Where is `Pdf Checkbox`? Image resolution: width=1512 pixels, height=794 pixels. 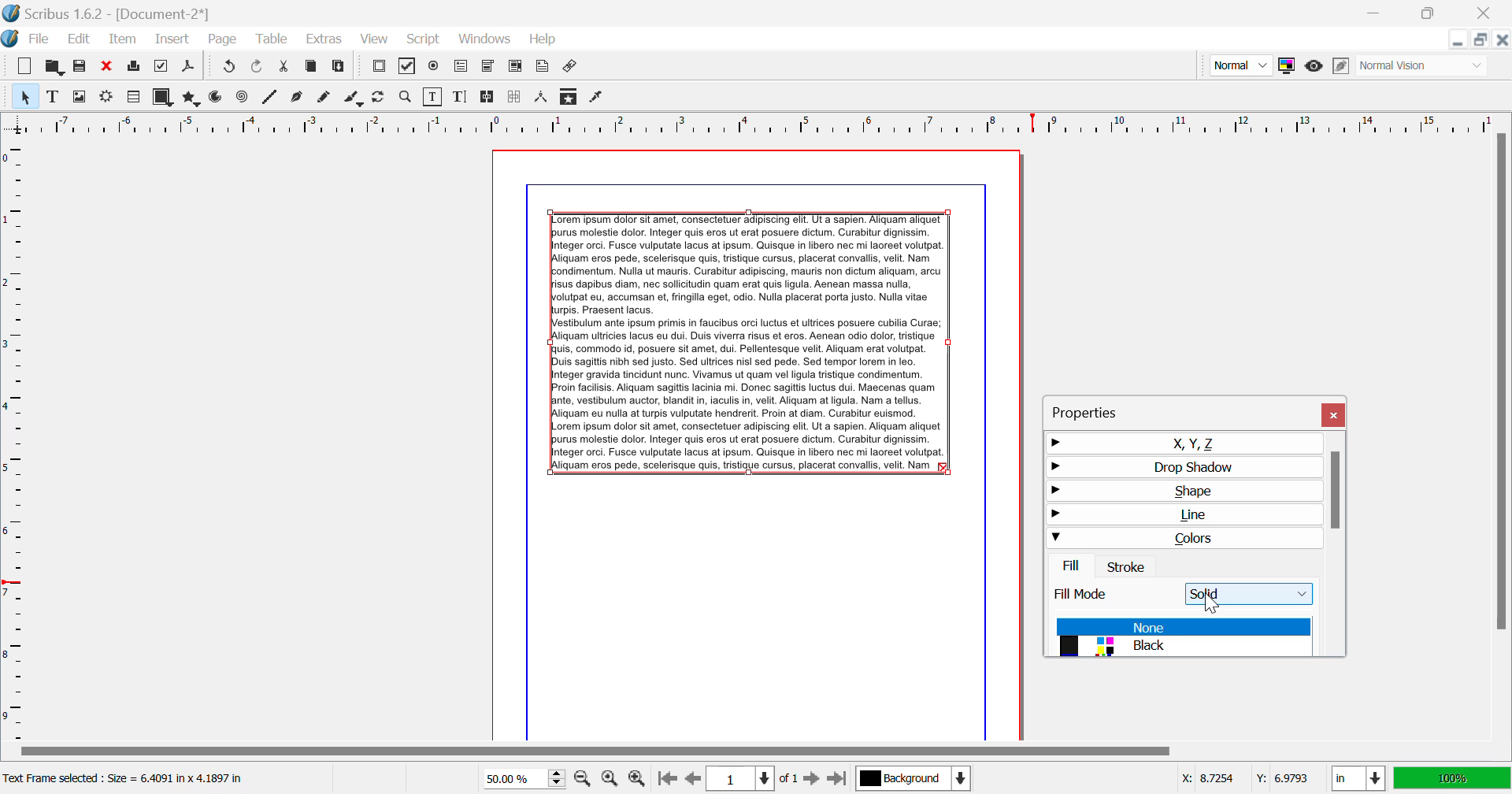 Pdf Checkbox is located at coordinates (408, 69).